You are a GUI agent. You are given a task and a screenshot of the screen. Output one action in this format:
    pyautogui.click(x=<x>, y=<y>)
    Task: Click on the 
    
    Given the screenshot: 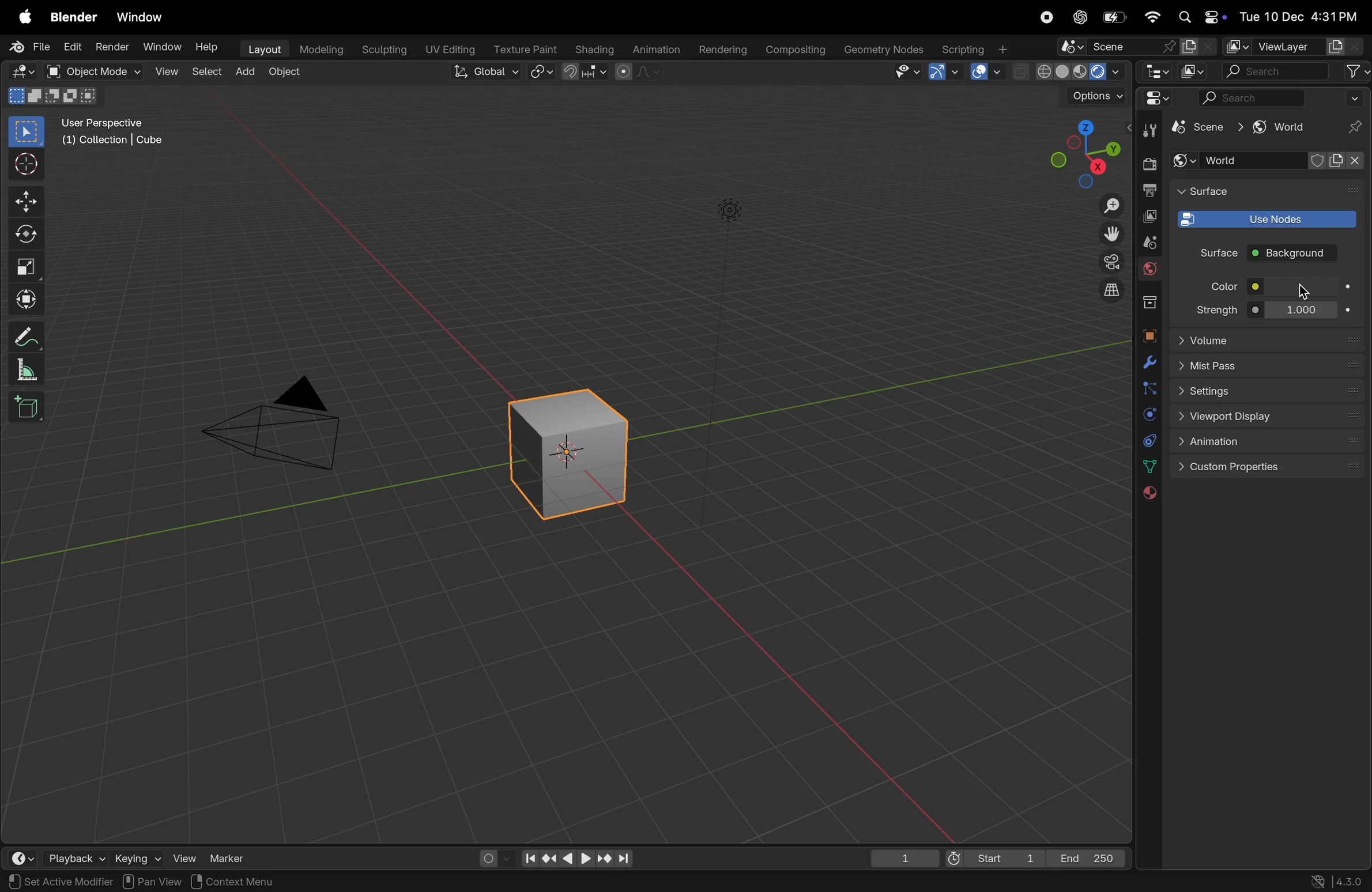 What is the action you would take?
    pyautogui.click(x=1148, y=191)
    